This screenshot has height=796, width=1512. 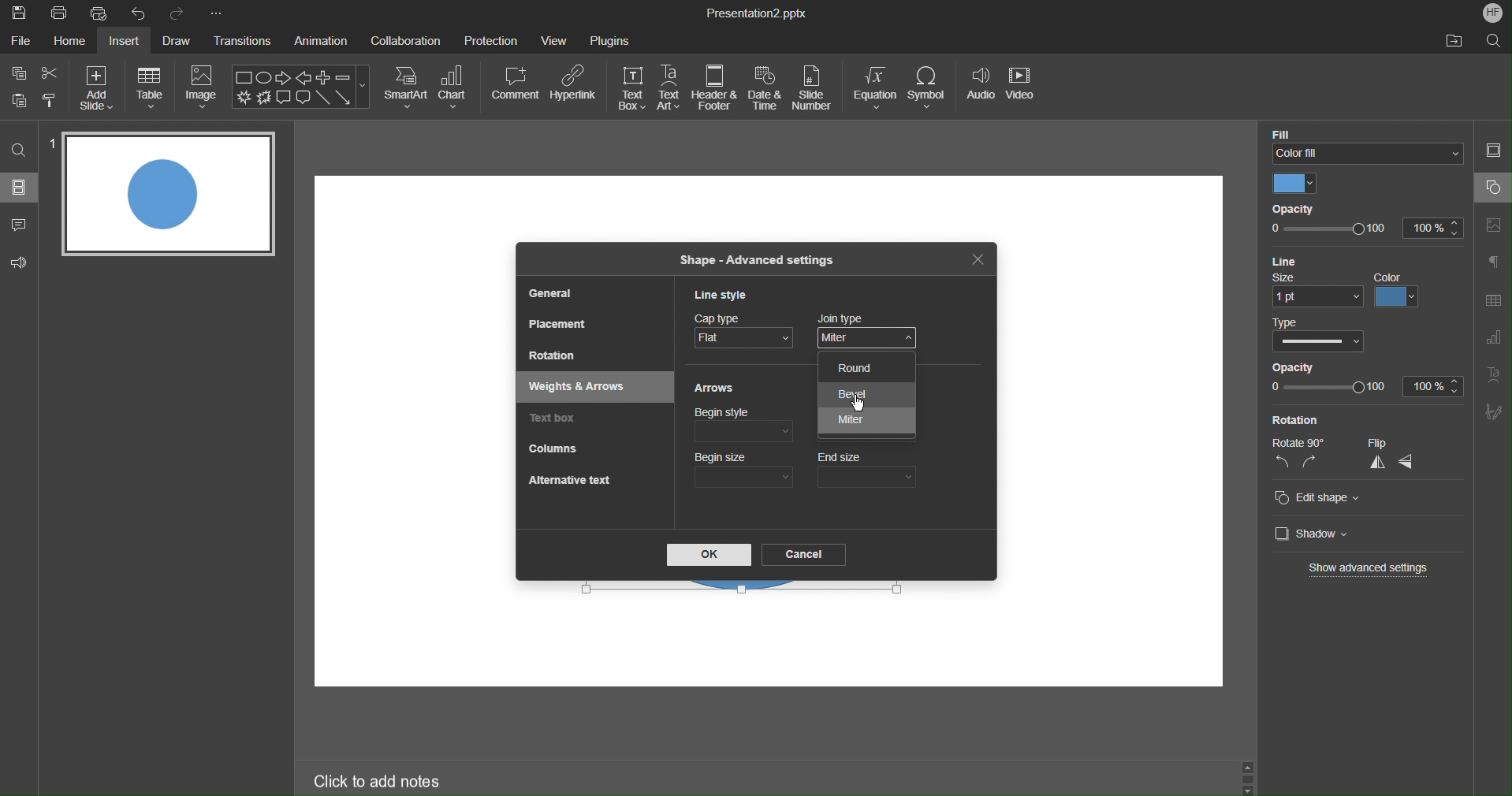 I want to click on Alternative Text, so click(x=569, y=481).